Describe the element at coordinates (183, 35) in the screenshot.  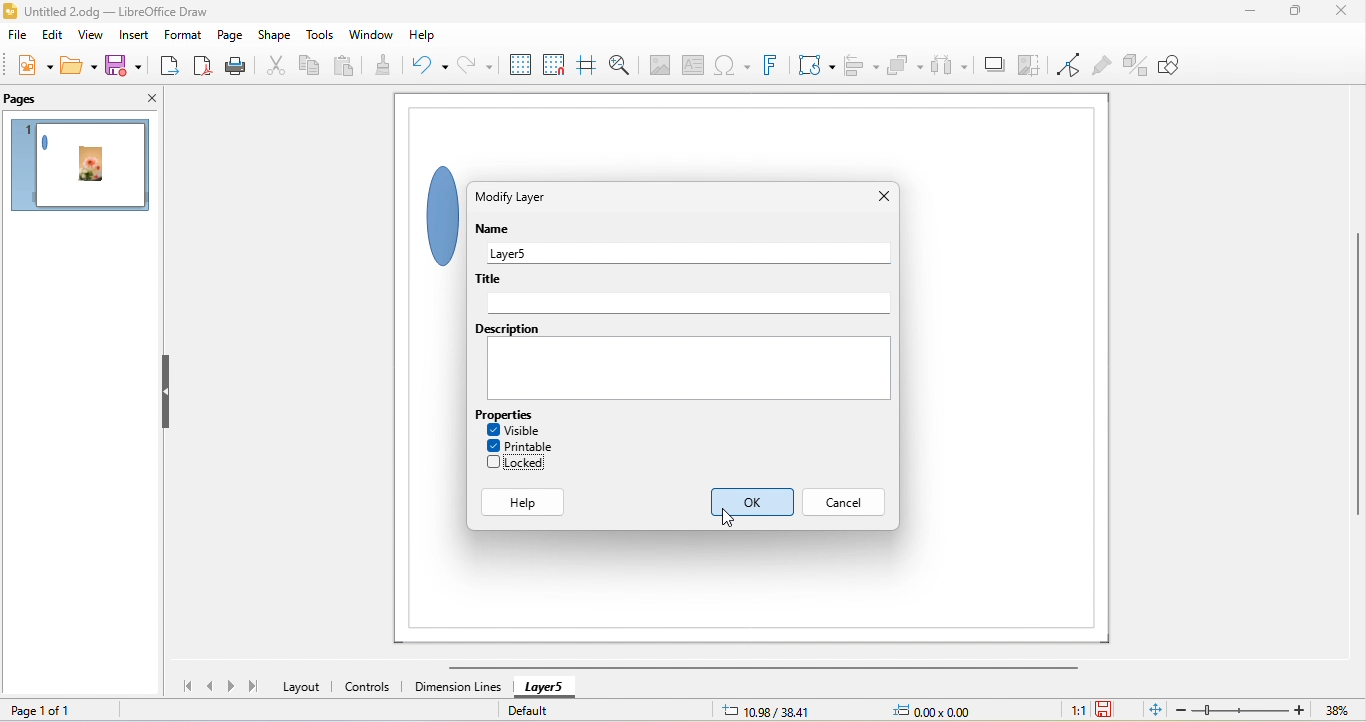
I see `format` at that location.